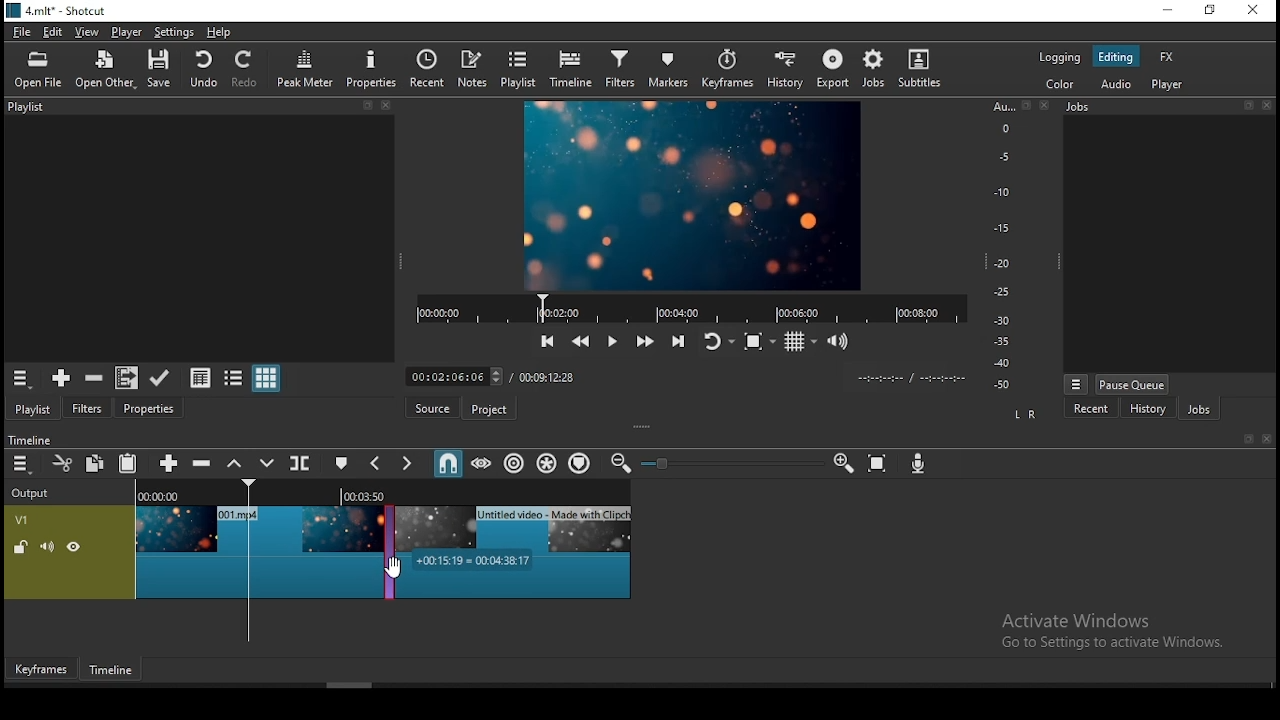 This screenshot has width=1280, height=720. I want to click on recent, so click(425, 70).